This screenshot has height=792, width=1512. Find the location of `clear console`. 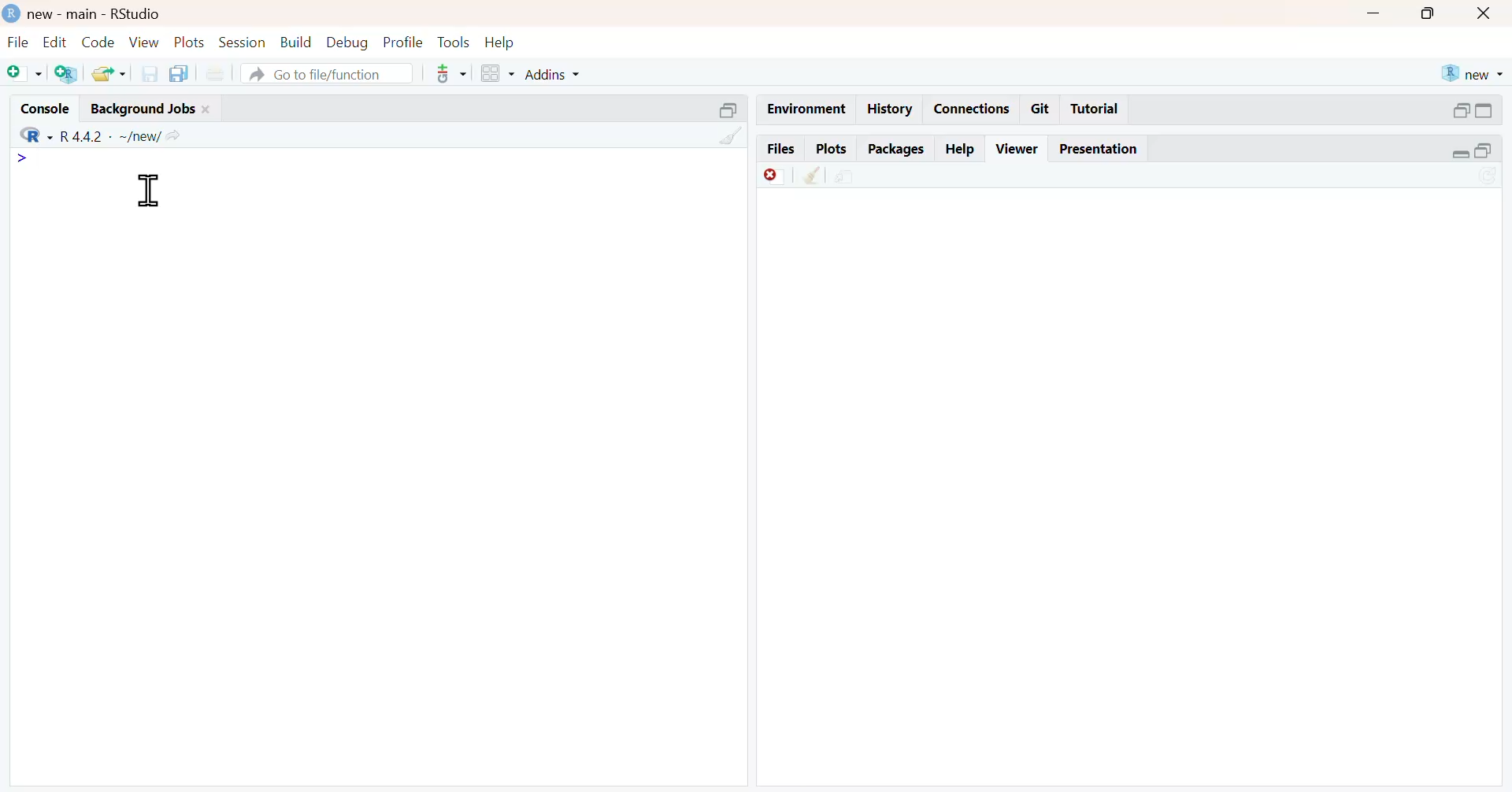

clear console is located at coordinates (730, 135).